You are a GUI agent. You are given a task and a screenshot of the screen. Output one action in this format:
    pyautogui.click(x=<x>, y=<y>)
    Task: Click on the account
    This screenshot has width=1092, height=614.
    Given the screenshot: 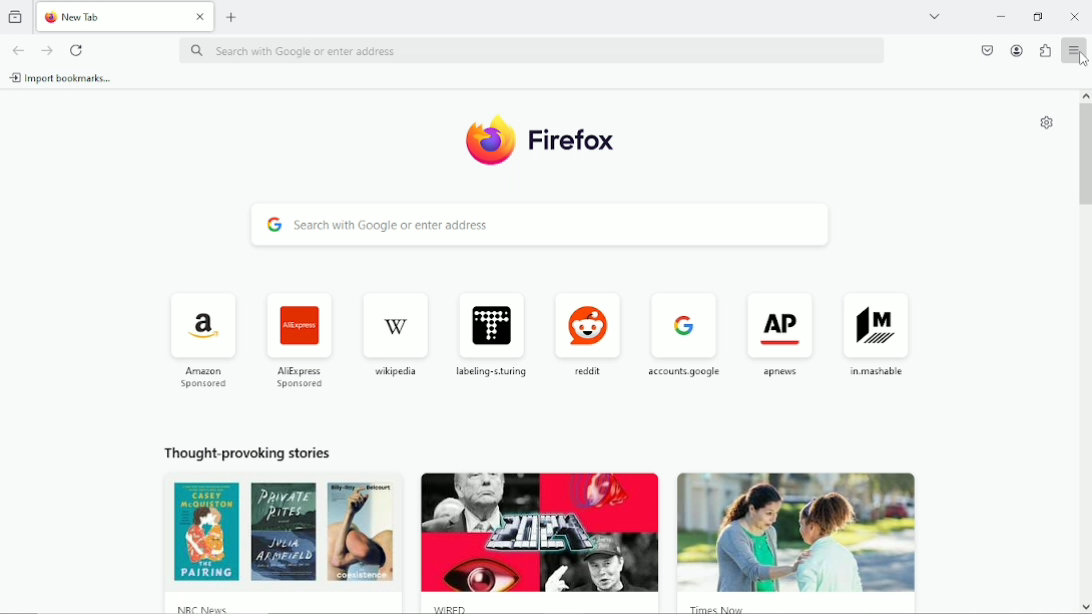 What is the action you would take?
    pyautogui.click(x=1017, y=50)
    